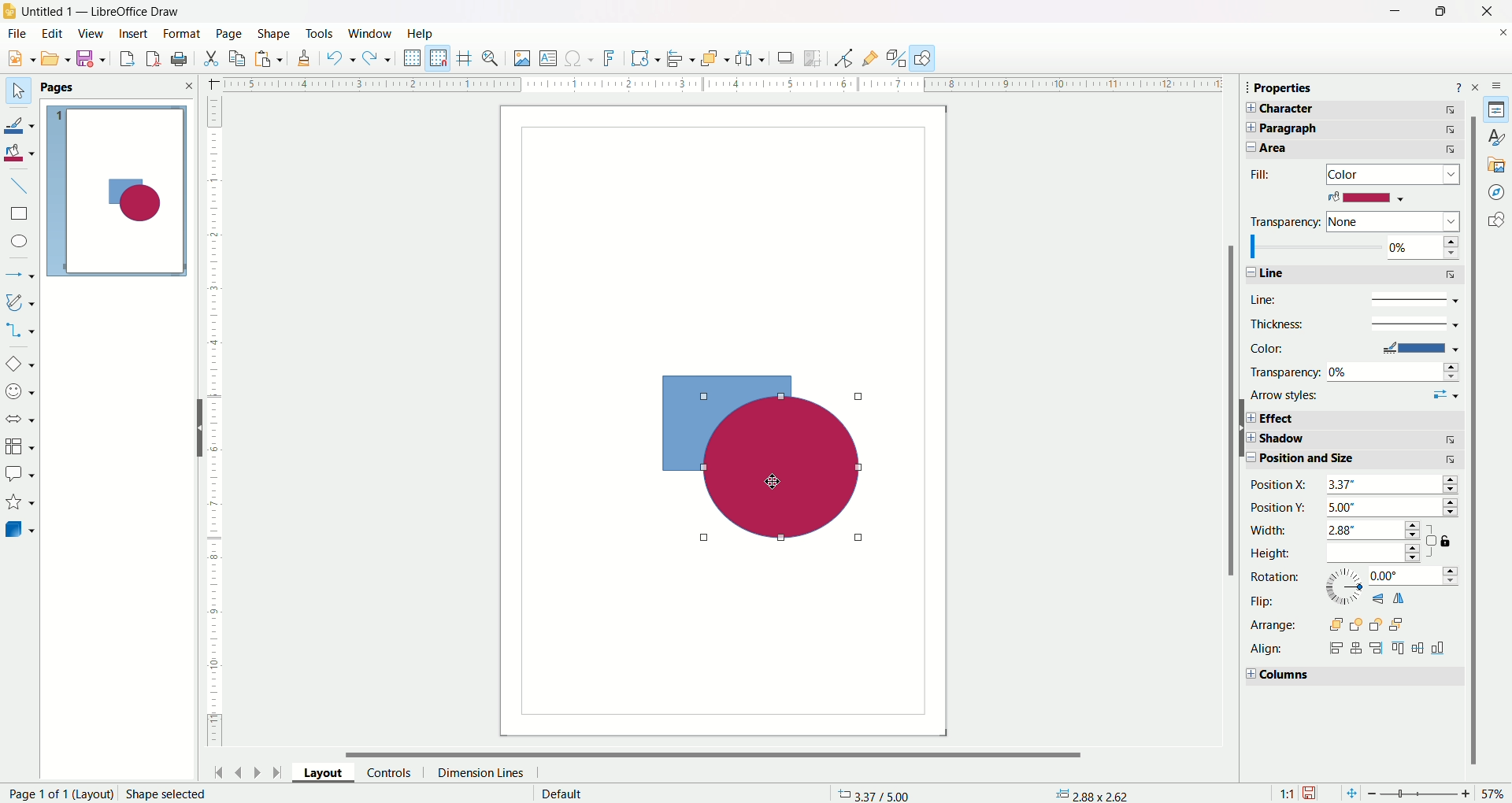 The width and height of the screenshot is (1512, 803). What do you see at coordinates (1366, 198) in the screenshot?
I see `color` at bounding box center [1366, 198].